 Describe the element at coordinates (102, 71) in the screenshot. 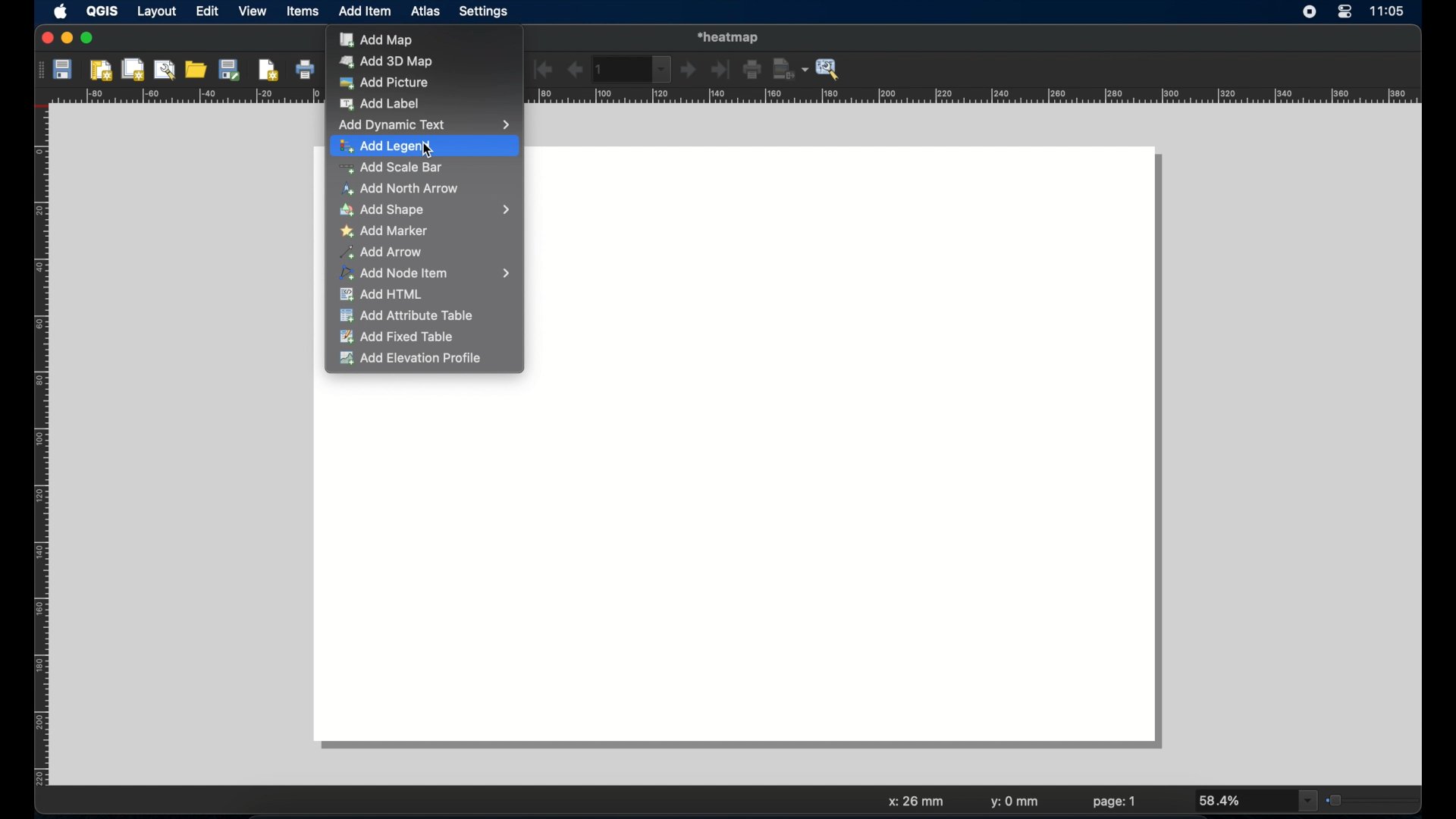

I see `new layout` at that location.